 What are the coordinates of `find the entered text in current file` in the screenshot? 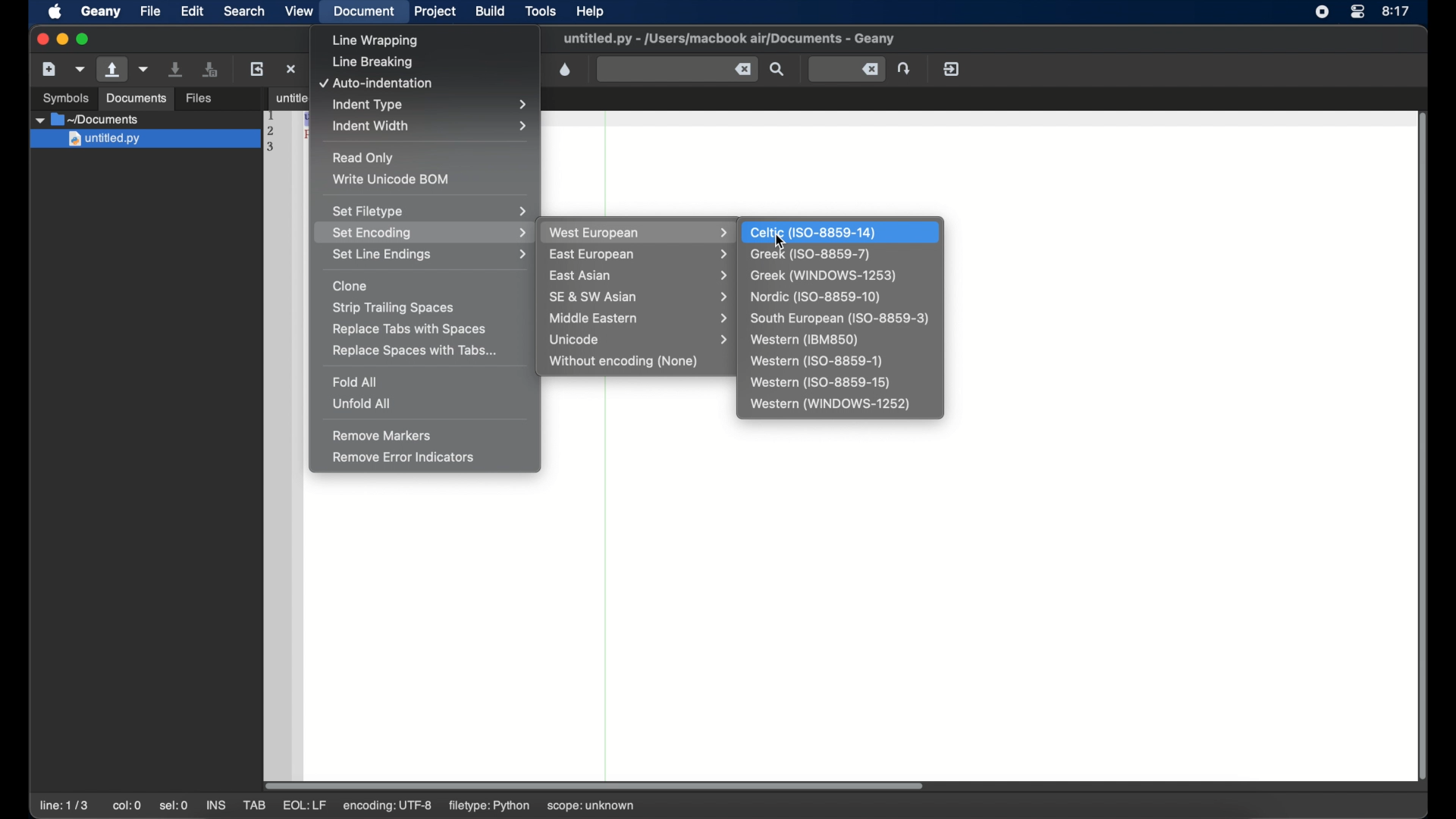 It's located at (777, 69).